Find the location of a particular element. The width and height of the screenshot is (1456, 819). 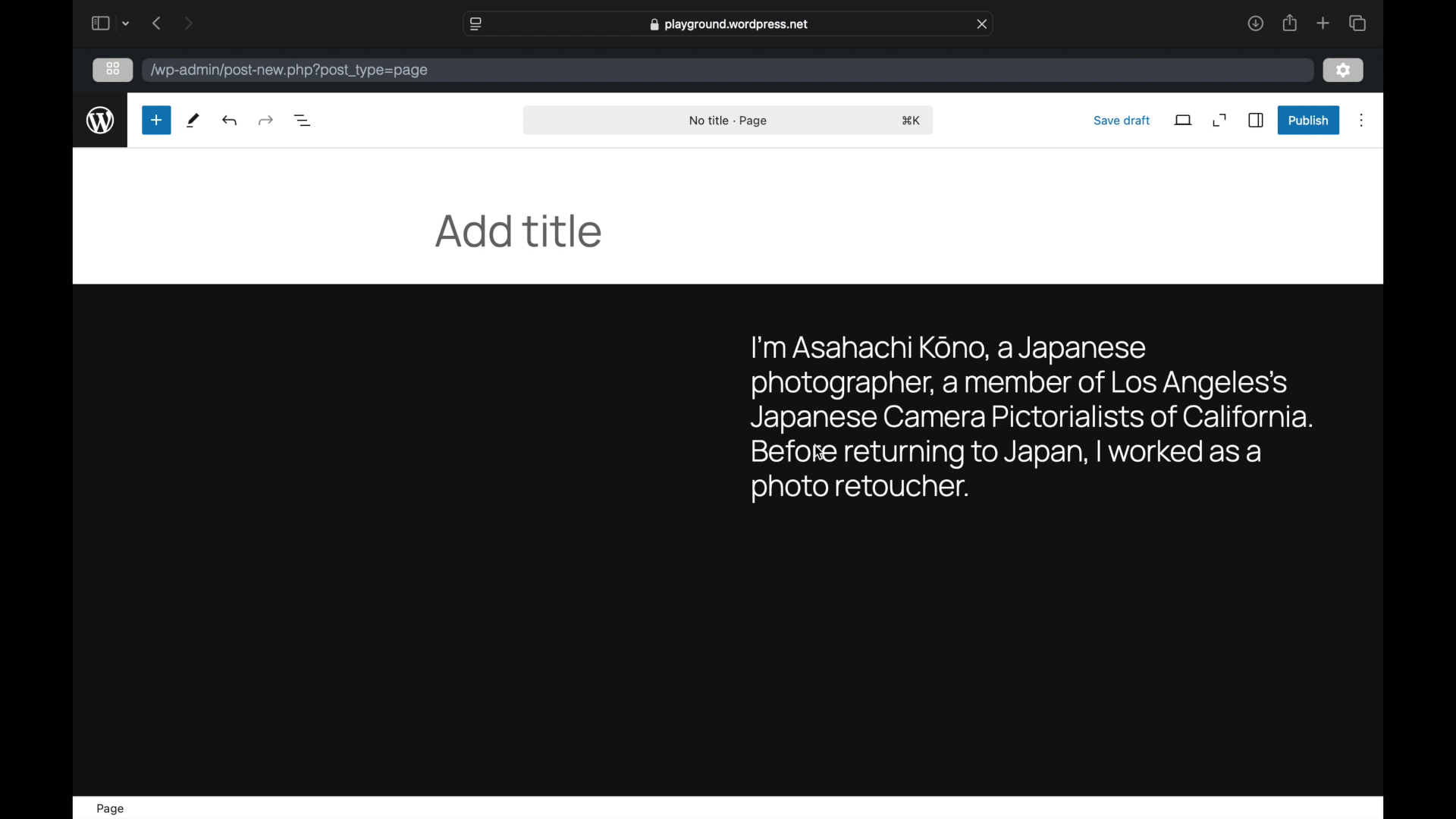

sidebar is located at coordinates (99, 23).